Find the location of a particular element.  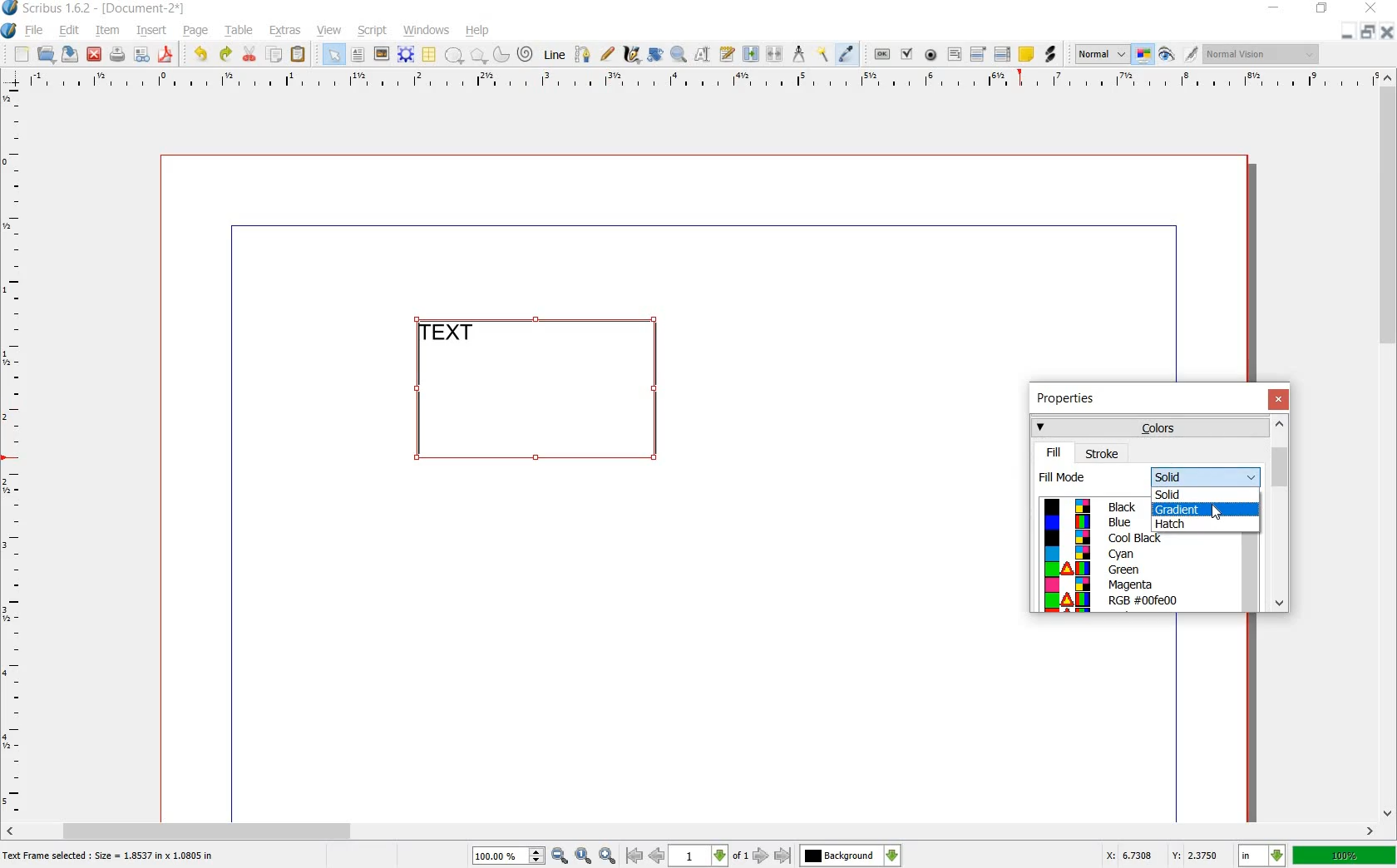

unlink text frame is located at coordinates (776, 55).